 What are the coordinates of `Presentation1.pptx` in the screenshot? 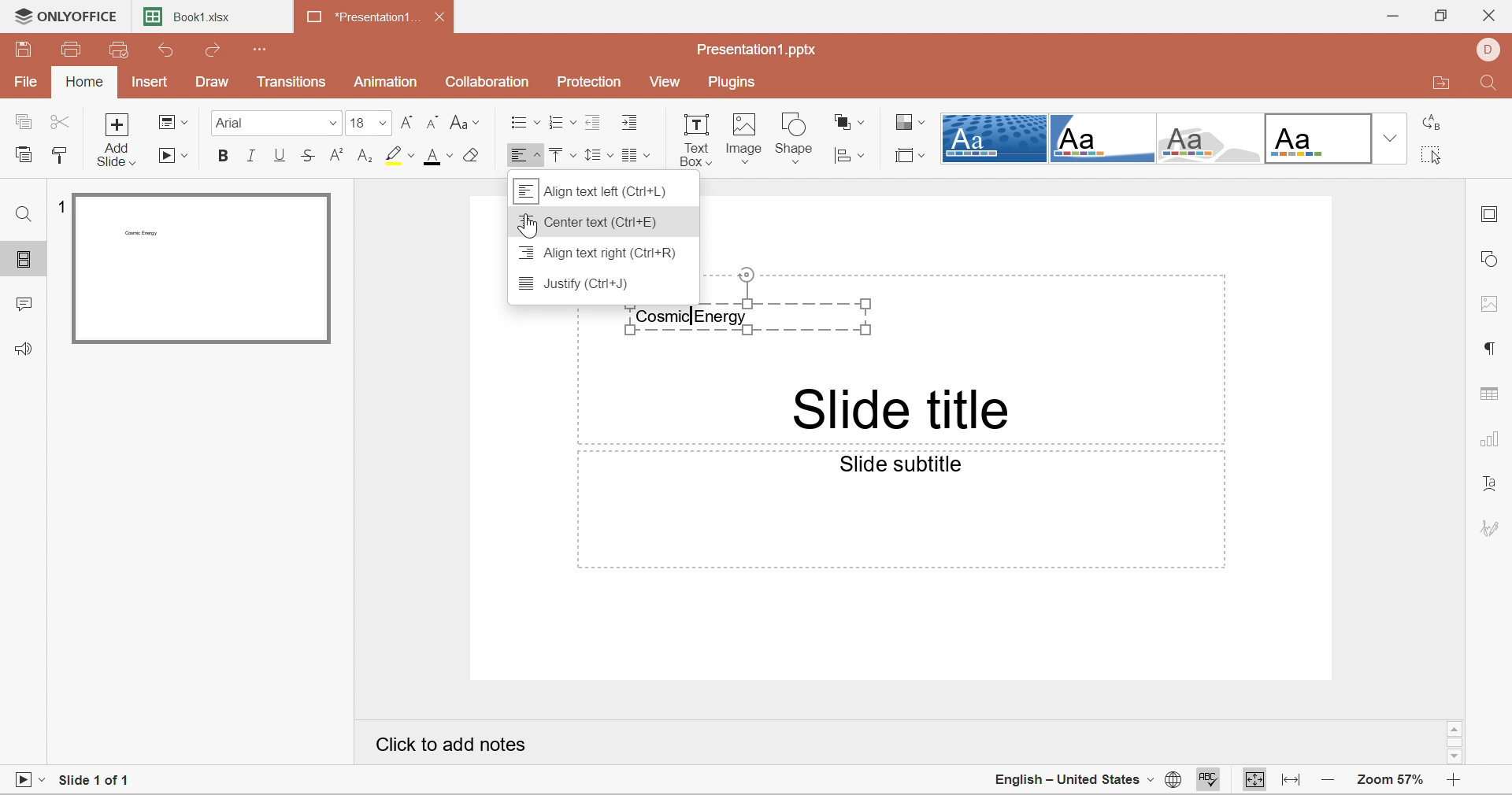 It's located at (762, 52).